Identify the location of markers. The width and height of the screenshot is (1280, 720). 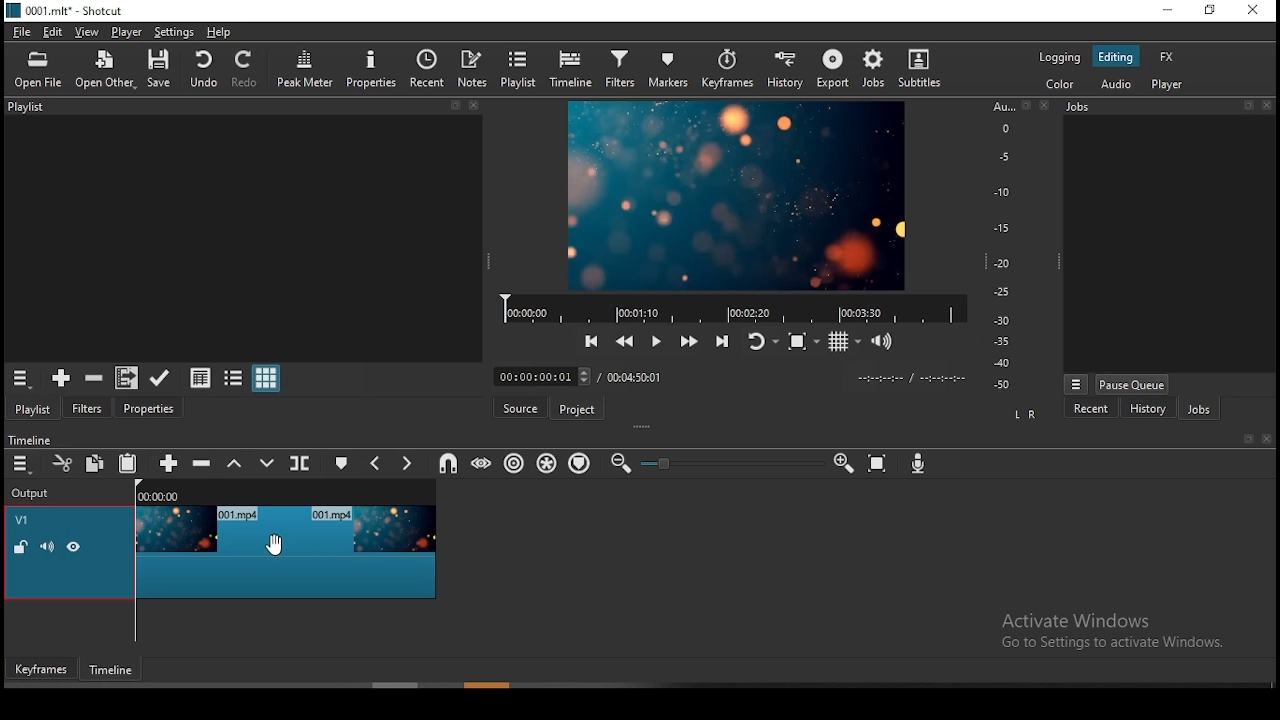
(667, 68).